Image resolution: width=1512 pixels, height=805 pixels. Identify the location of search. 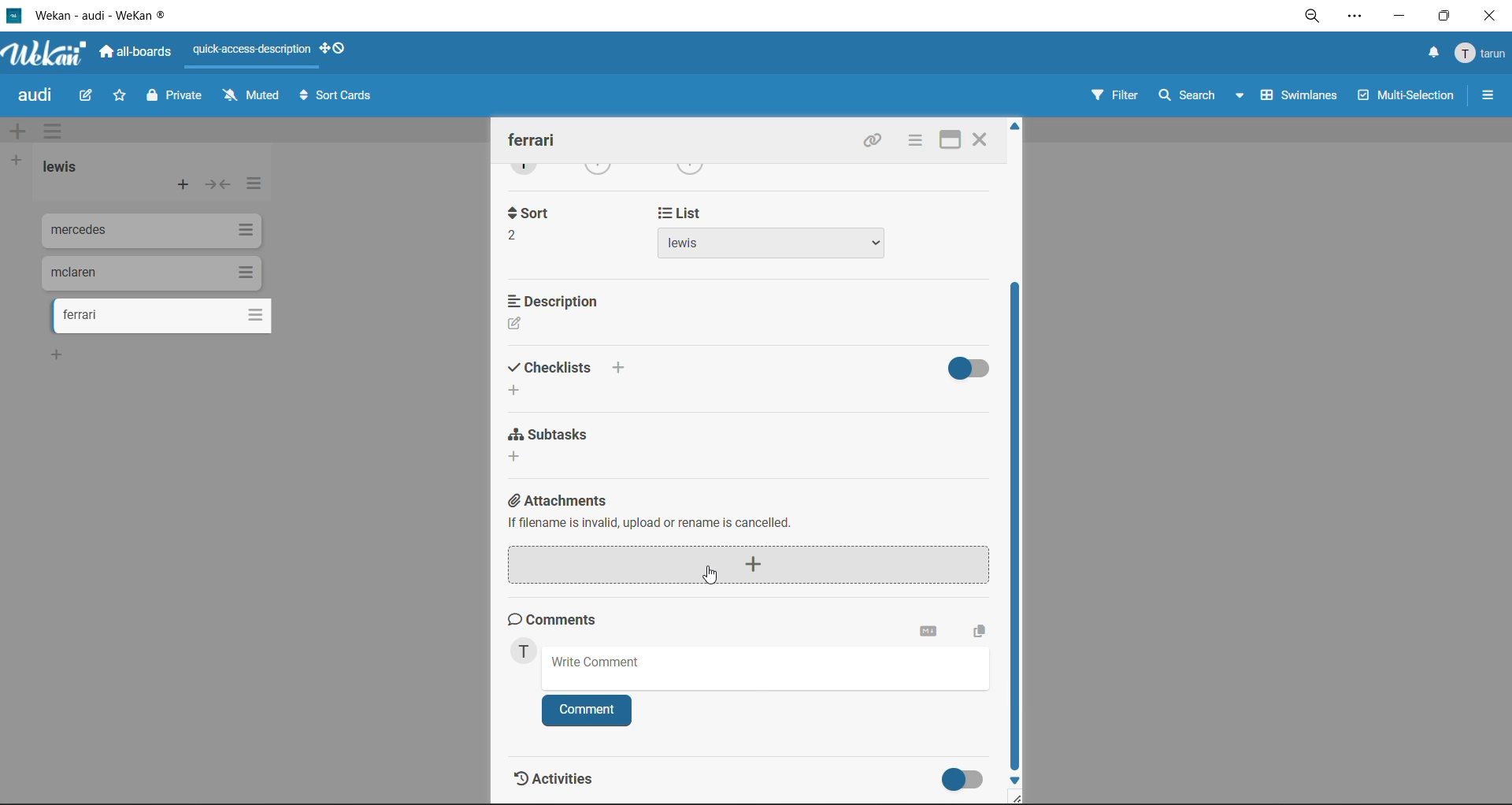
(1203, 95).